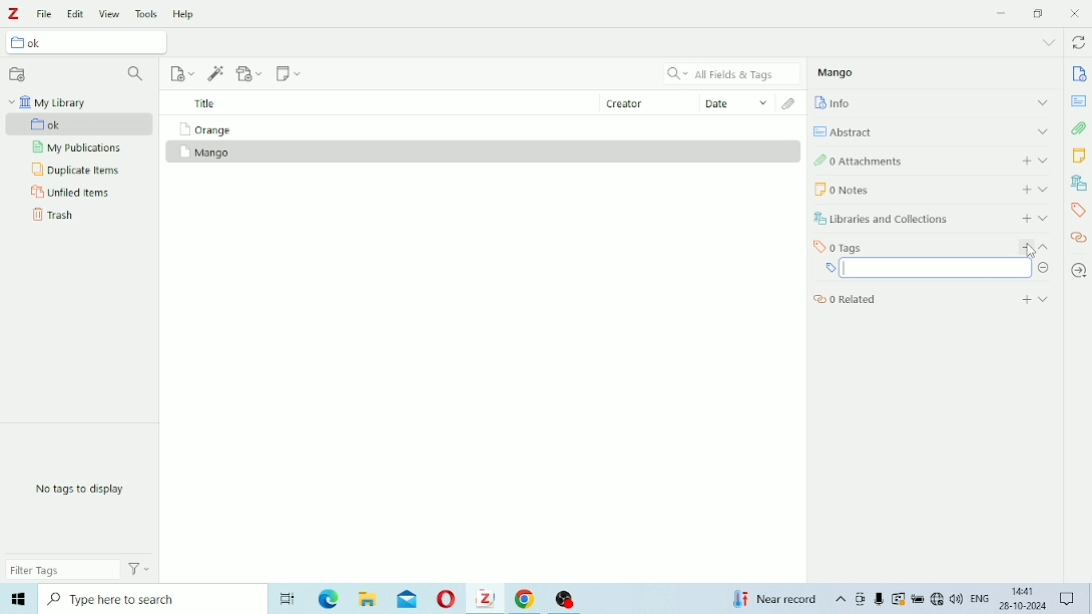 This screenshot has width=1092, height=614. I want to click on Close, so click(1076, 13).